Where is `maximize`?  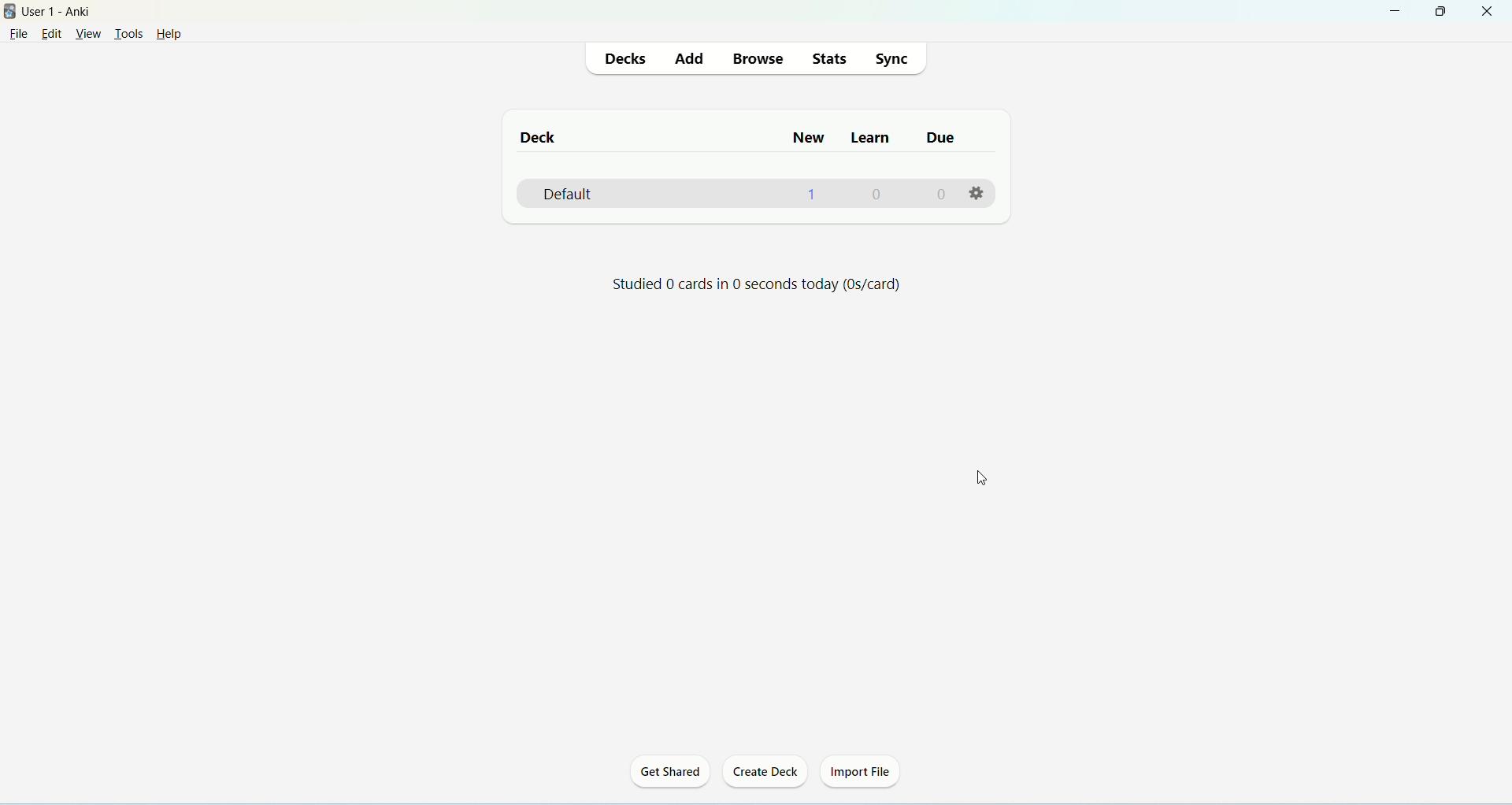 maximize is located at coordinates (1440, 12).